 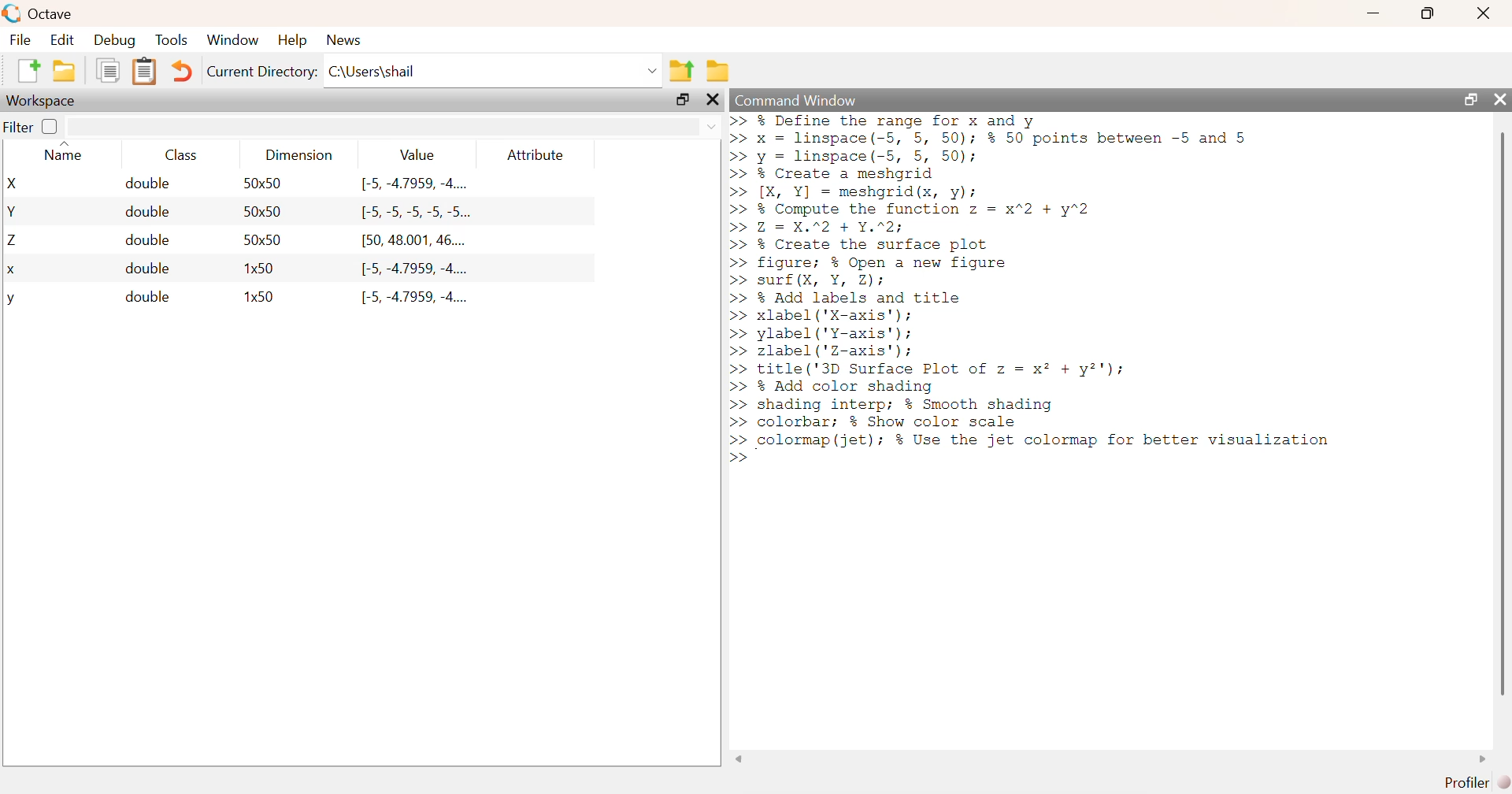 What do you see at coordinates (262, 183) in the screenshot?
I see `50x50` at bounding box center [262, 183].